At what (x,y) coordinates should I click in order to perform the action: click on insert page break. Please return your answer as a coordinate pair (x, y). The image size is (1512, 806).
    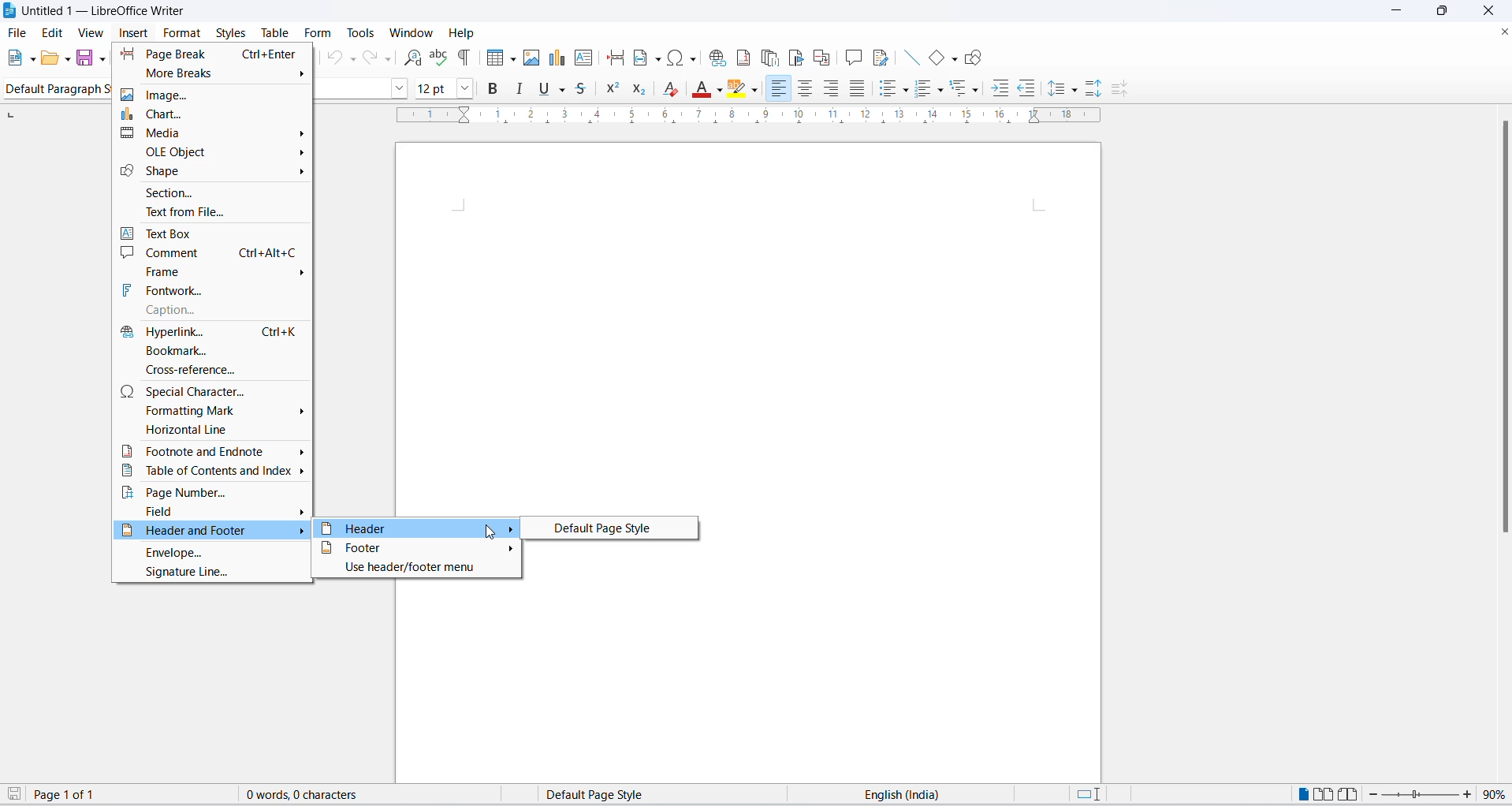
    Looking at the image, I should click on (612, 58).